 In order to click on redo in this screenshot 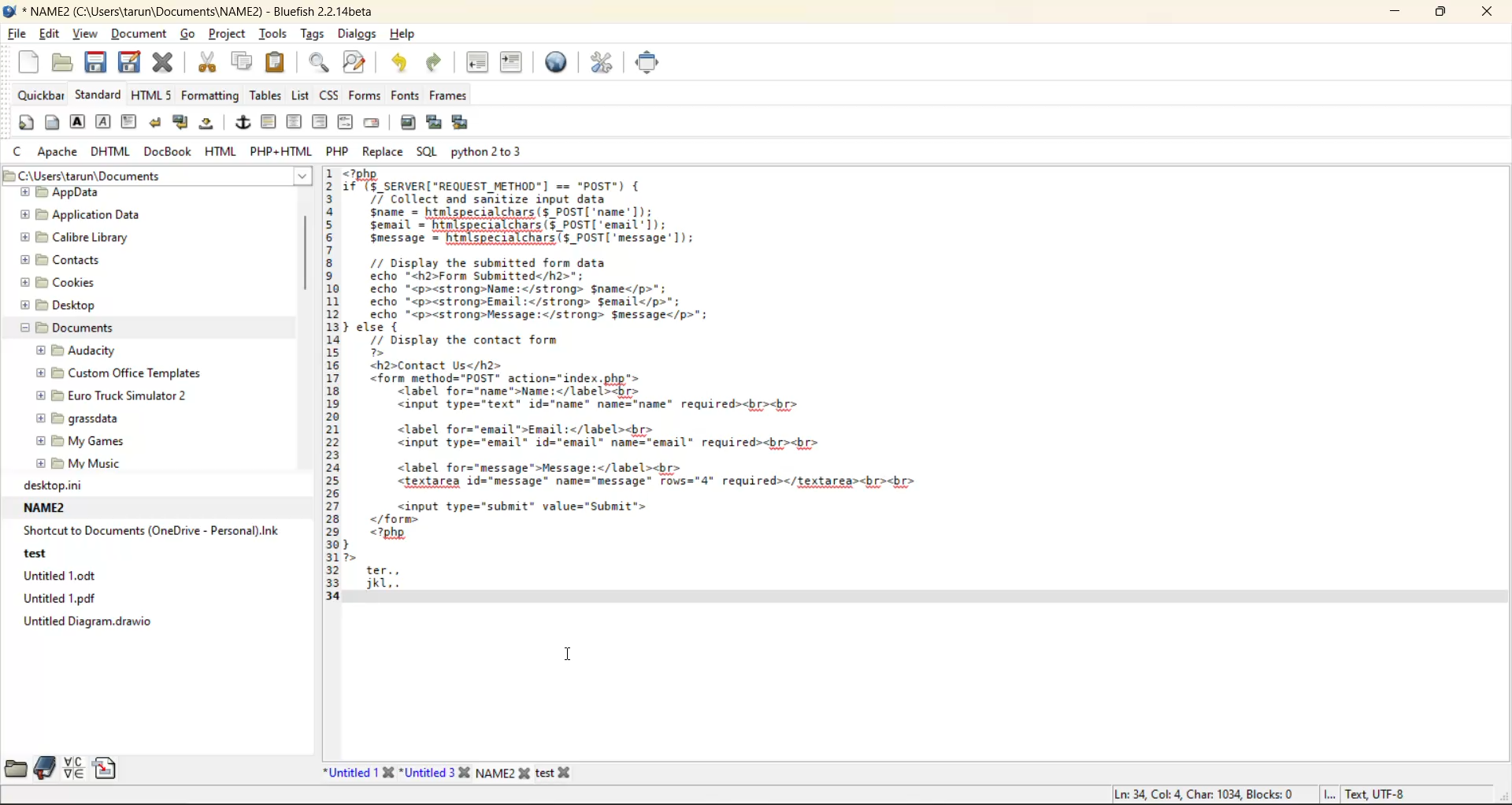, I will do `click(443, 61)`.